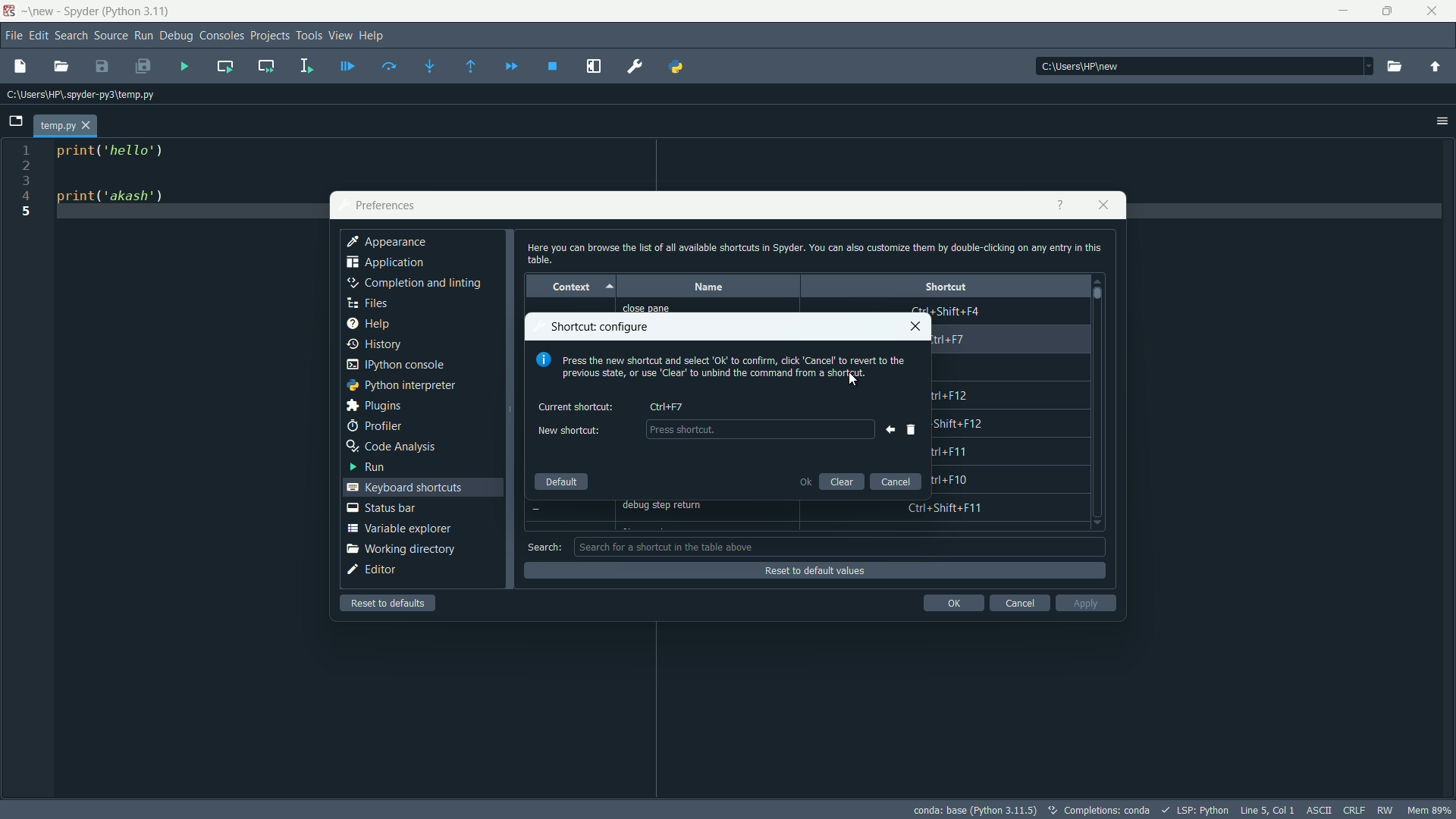 The image size is (1456, 819). I want to click on save file, so click(102, 67).